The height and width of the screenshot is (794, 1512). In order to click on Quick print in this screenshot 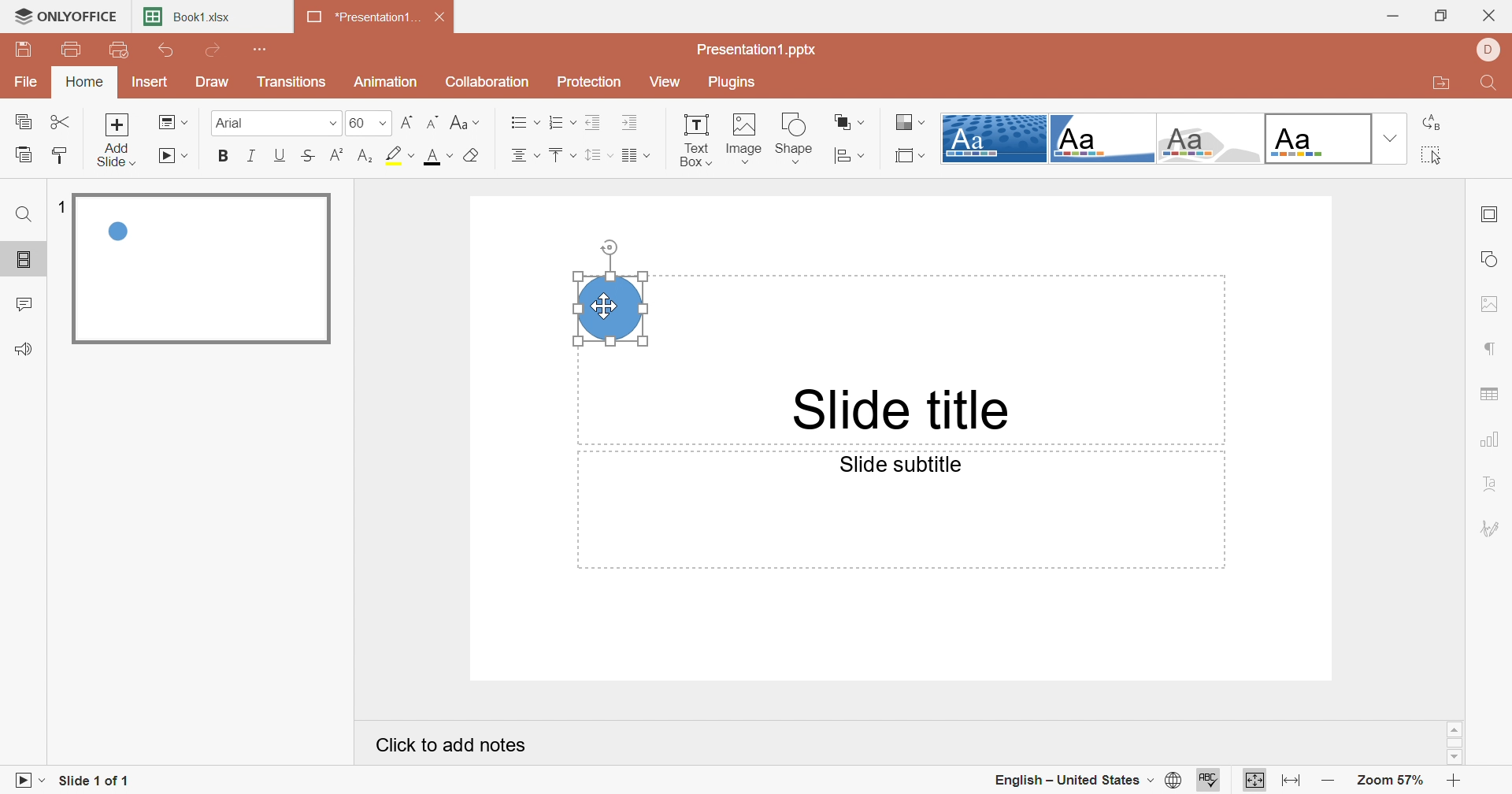, I will do `click(118, 50)`.